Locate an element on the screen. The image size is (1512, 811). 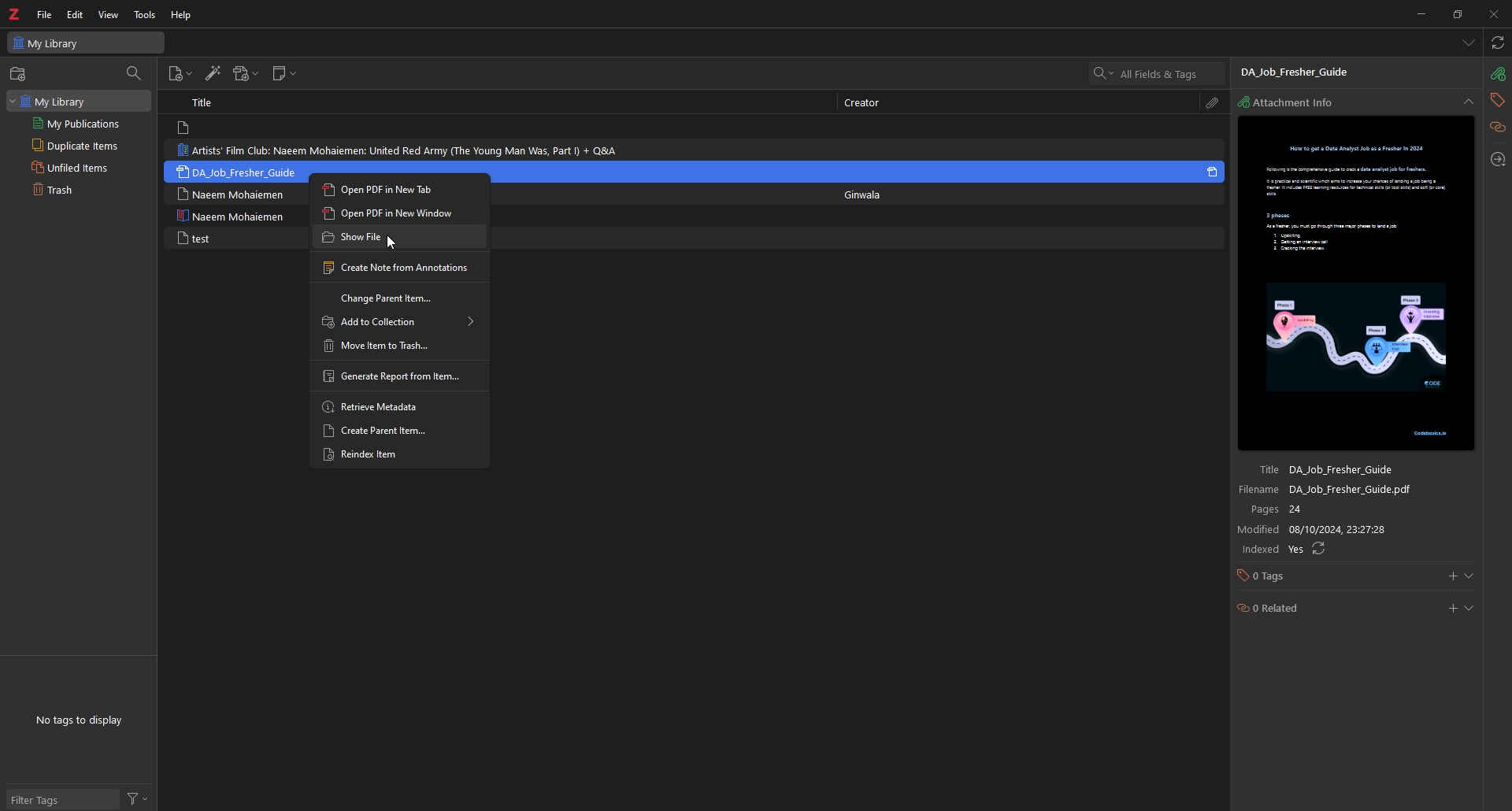
related is located at coordinates (1314, 609).